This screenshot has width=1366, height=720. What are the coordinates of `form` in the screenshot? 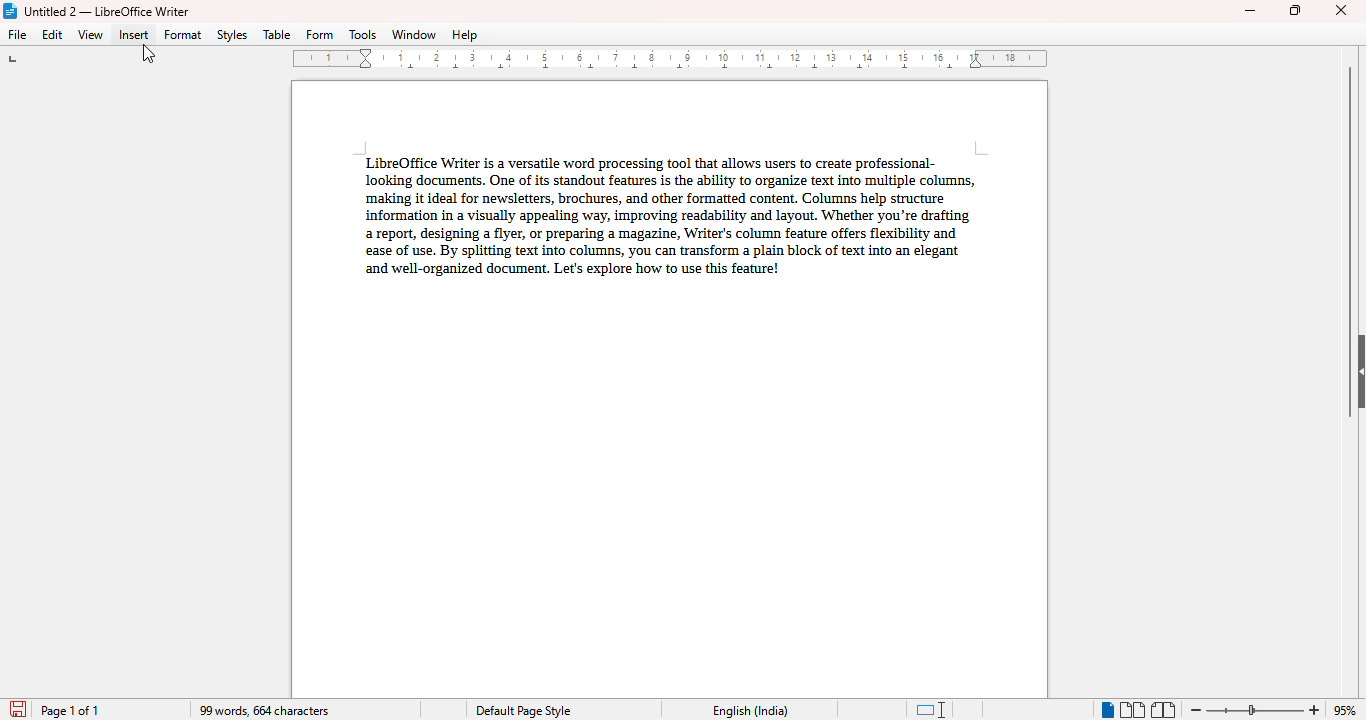 It's located at (320, 35).